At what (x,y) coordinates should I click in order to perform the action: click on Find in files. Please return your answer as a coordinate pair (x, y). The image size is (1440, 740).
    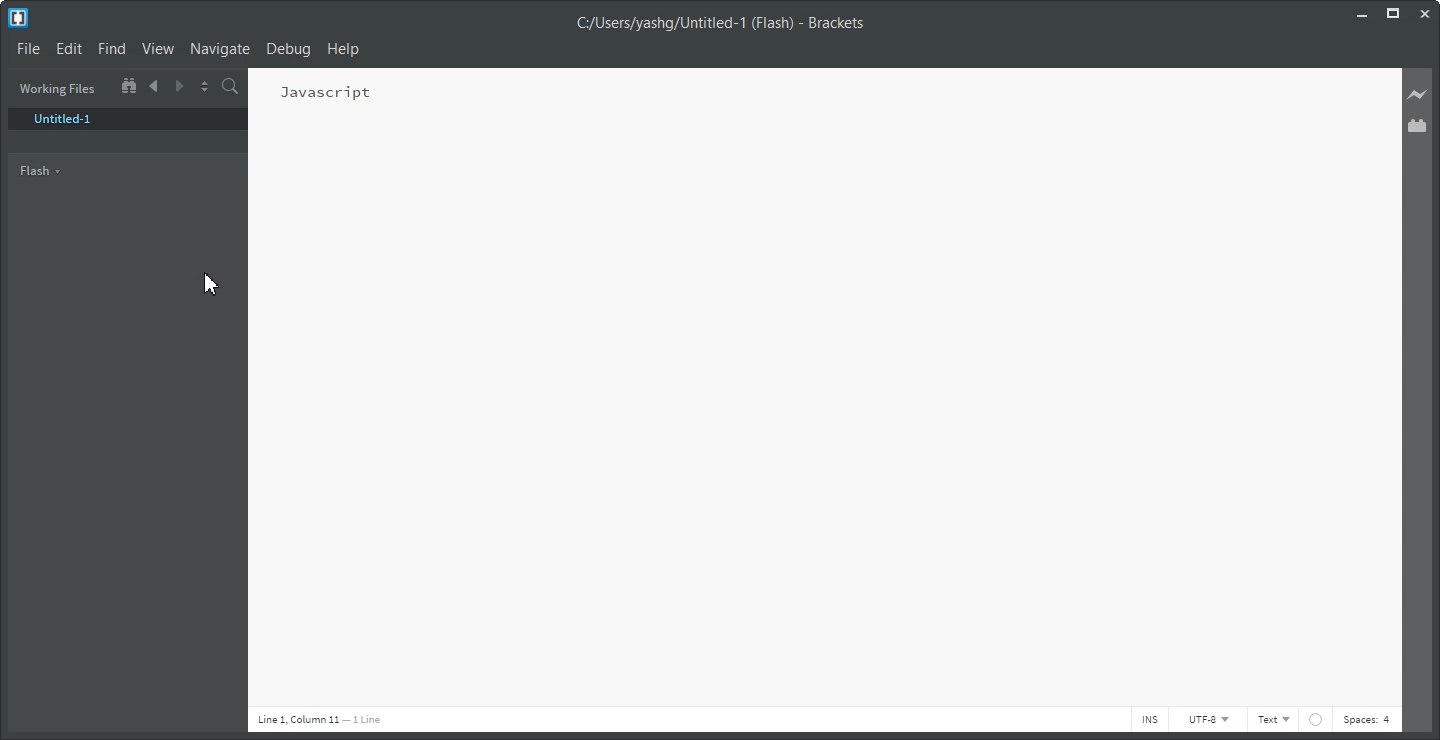
    Looking at the image, I should click on (231, 86).